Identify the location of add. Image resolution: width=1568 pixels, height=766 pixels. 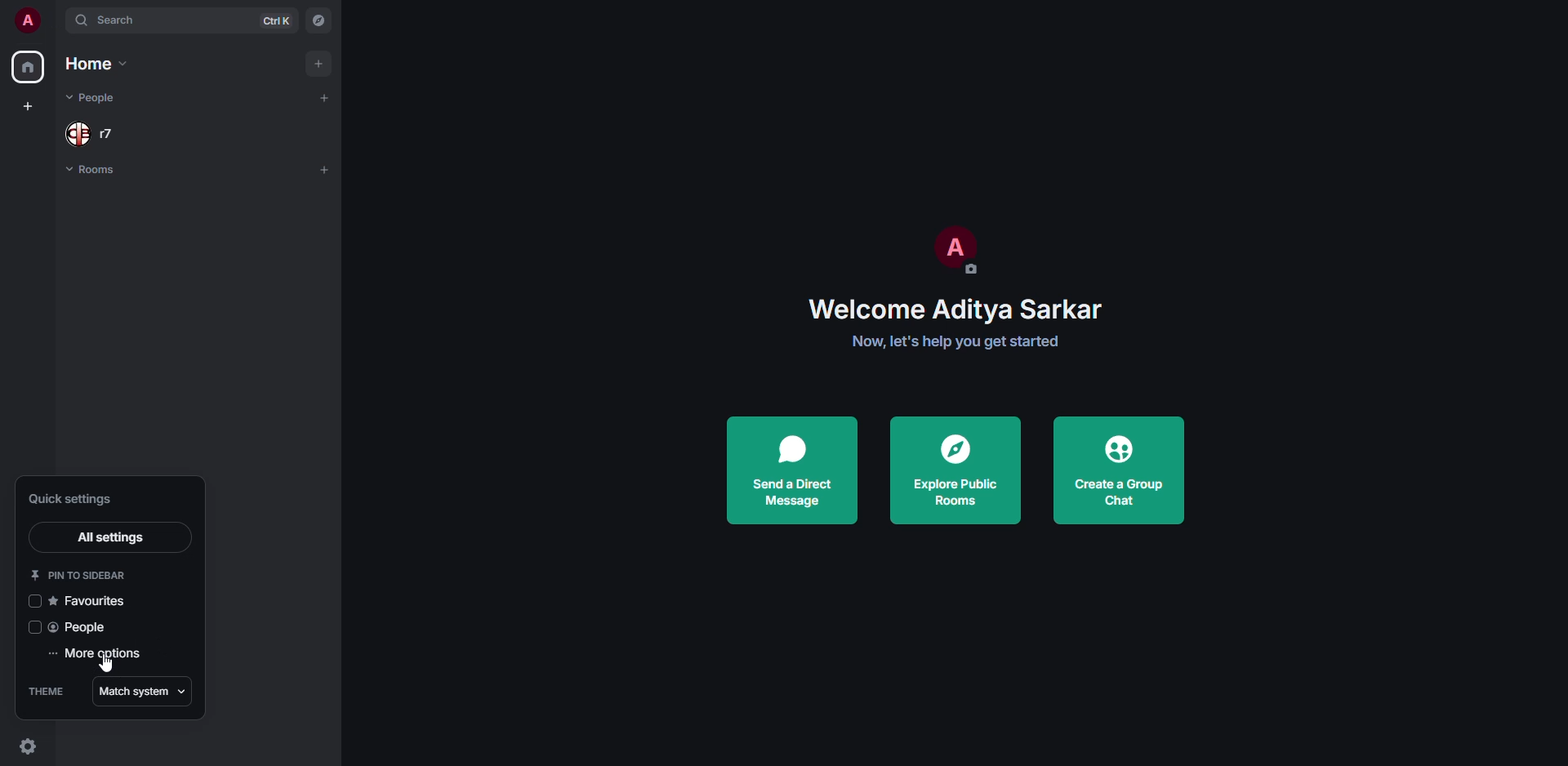
(318, 62).